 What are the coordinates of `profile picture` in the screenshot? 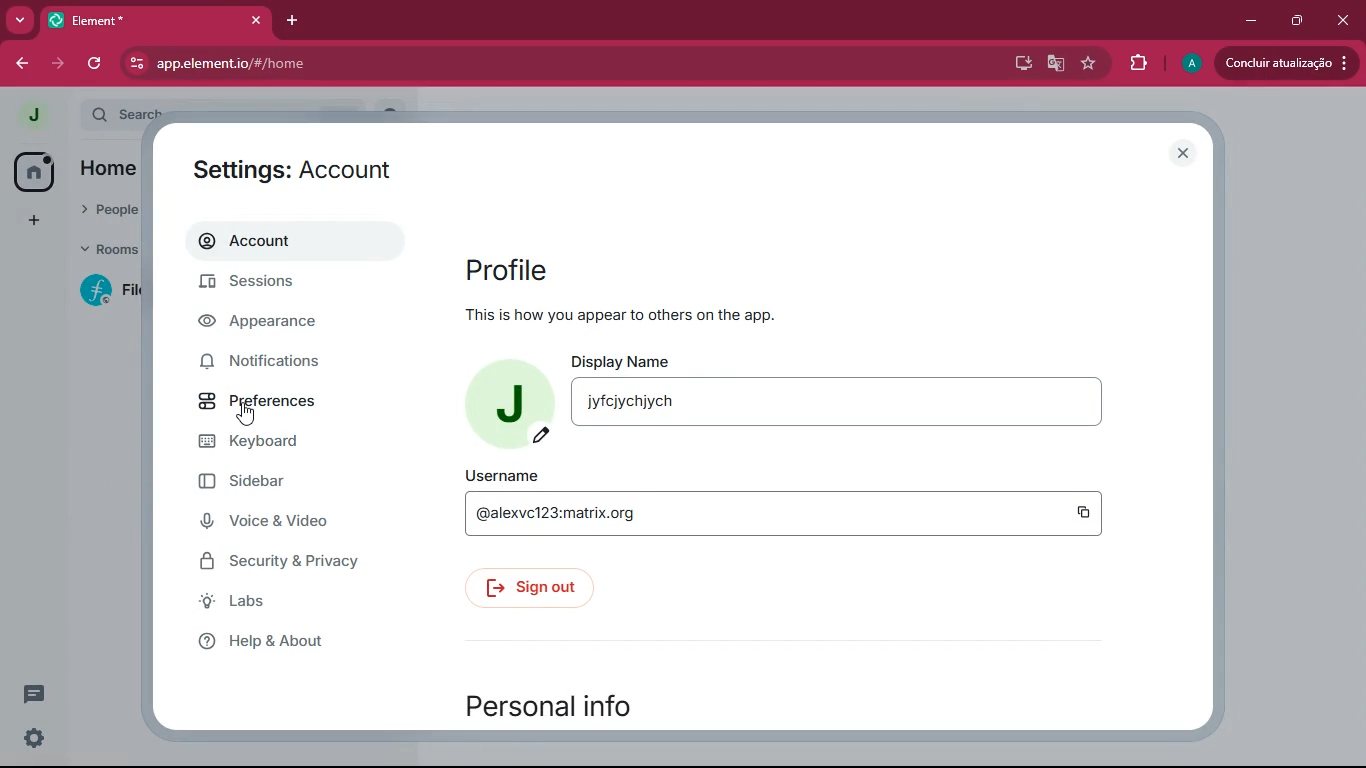 It's located at (507, 402).